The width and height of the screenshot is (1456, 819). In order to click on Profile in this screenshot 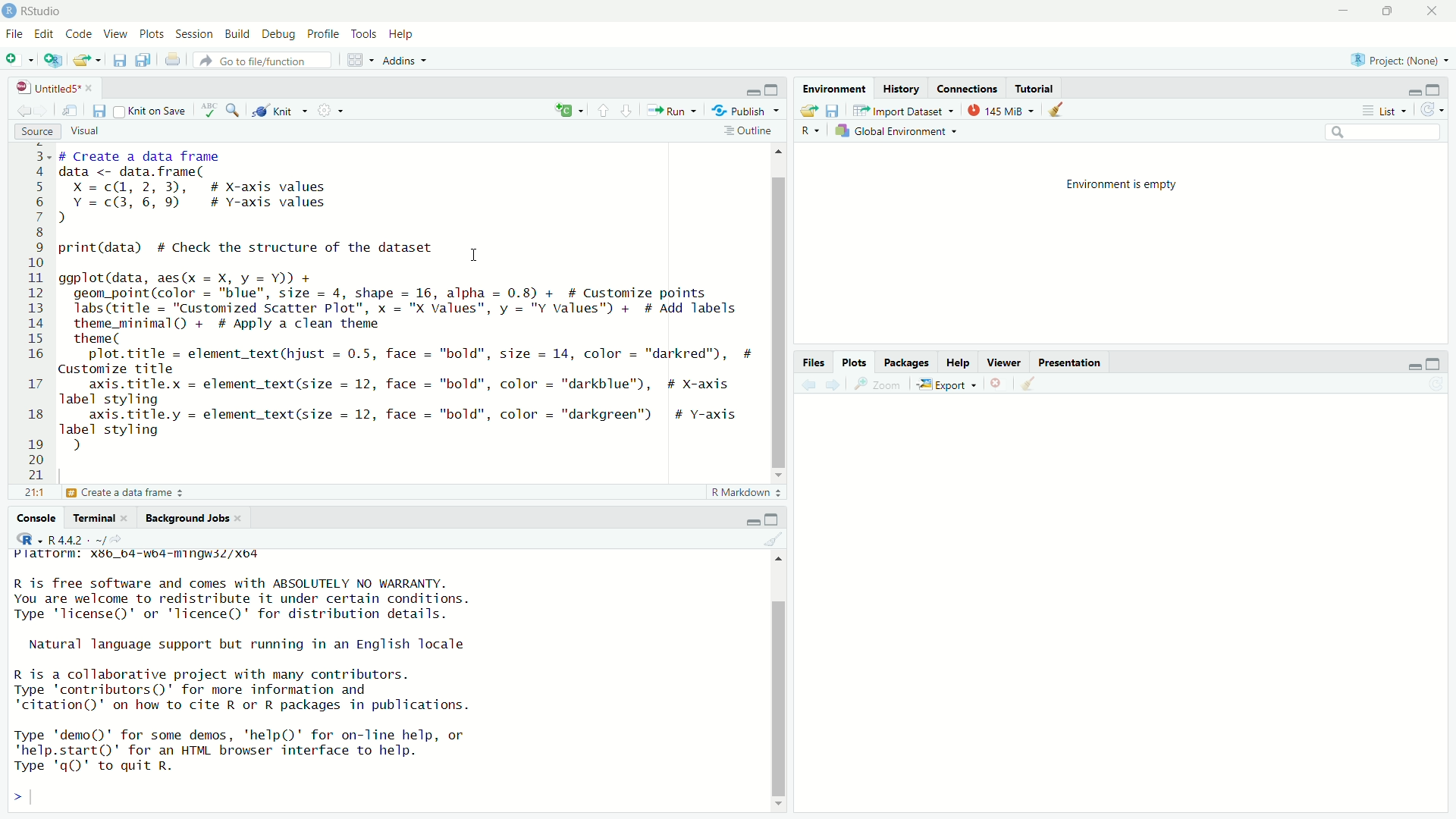, I will do `click(325, 35)`.